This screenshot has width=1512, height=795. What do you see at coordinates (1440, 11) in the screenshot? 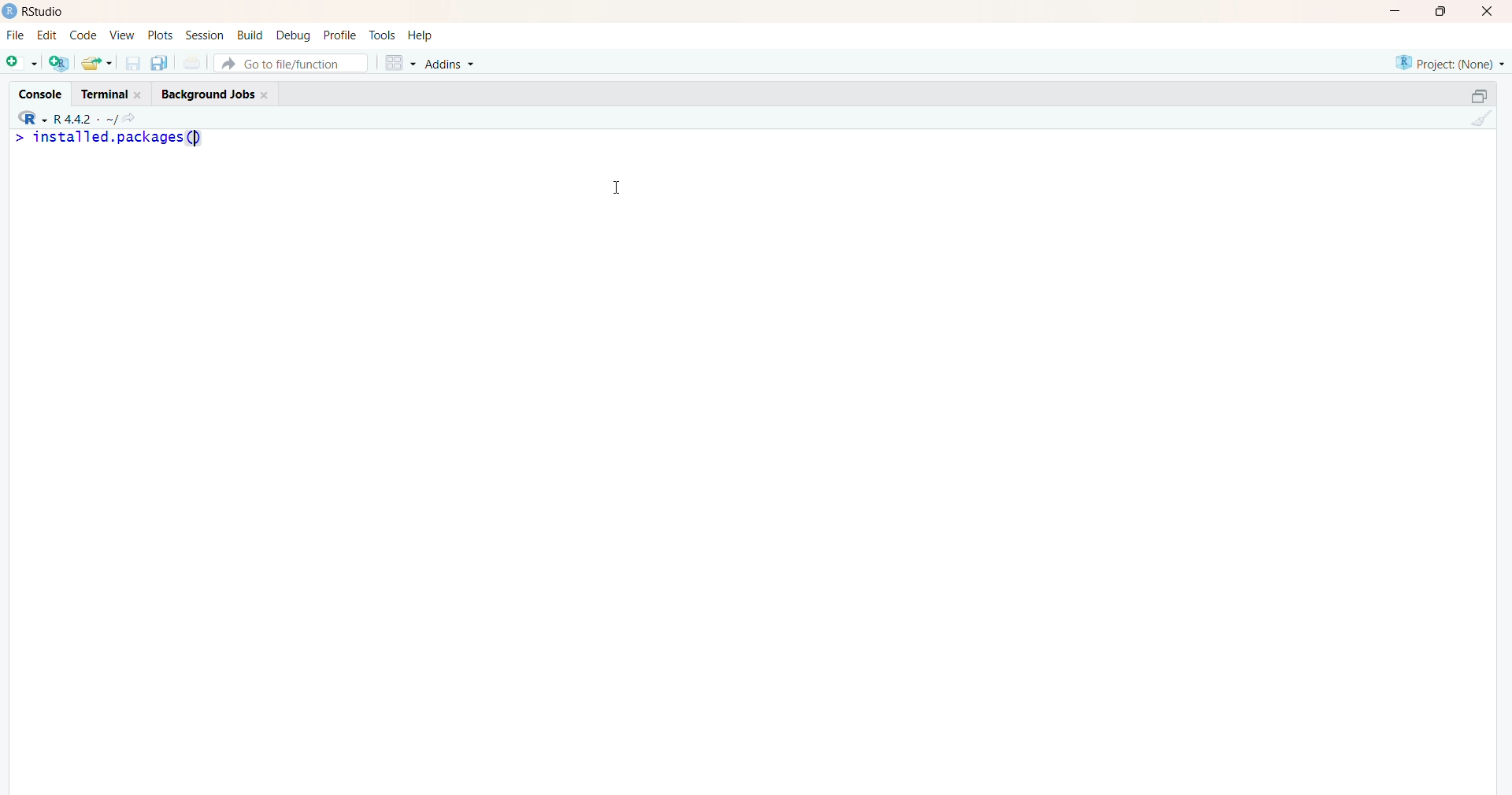
I see `maximize` at bounding box center [1440, 11].